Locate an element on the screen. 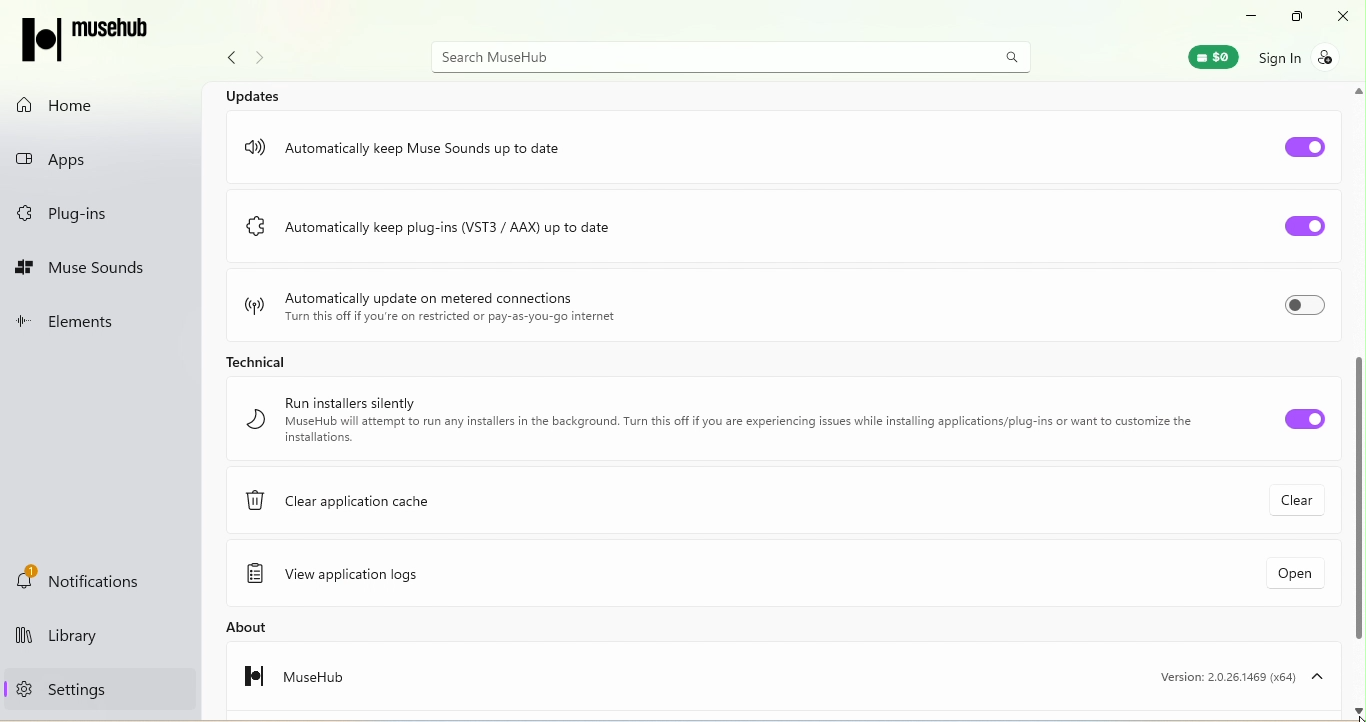 Image resolution: width=1366 pixels, height=722 pixels. Toggle button is located at coordinates (1289, 418).